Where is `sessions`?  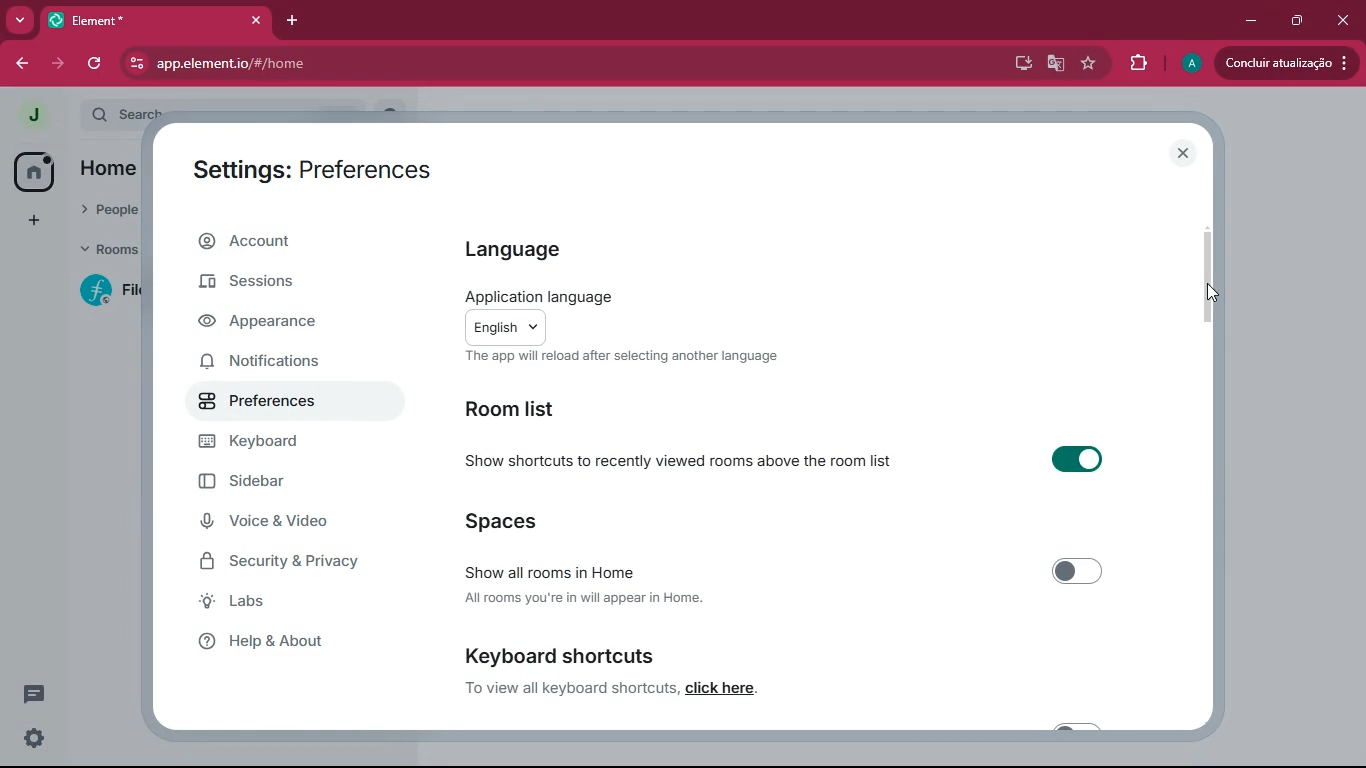 sessions is located at coordinates (272, 287).